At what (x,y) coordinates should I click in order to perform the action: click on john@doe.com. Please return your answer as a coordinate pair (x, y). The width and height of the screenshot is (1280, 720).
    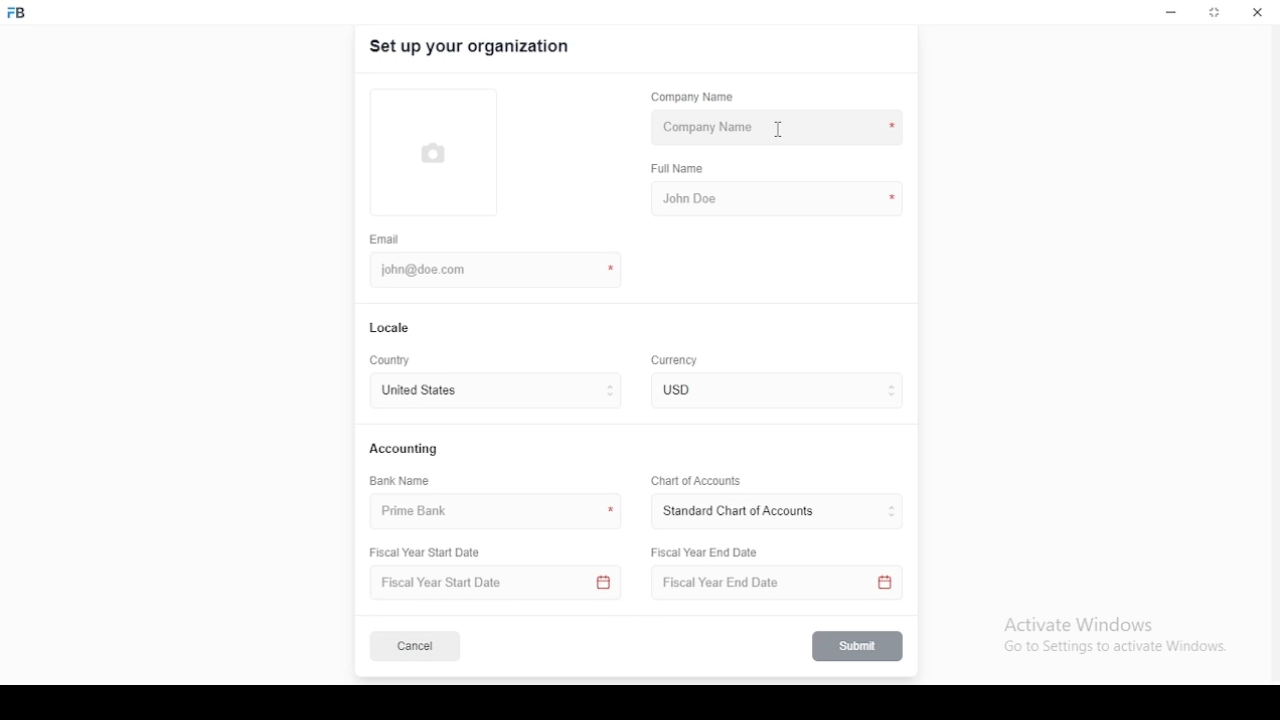
    Looking at the image, I should click on (431, 269).